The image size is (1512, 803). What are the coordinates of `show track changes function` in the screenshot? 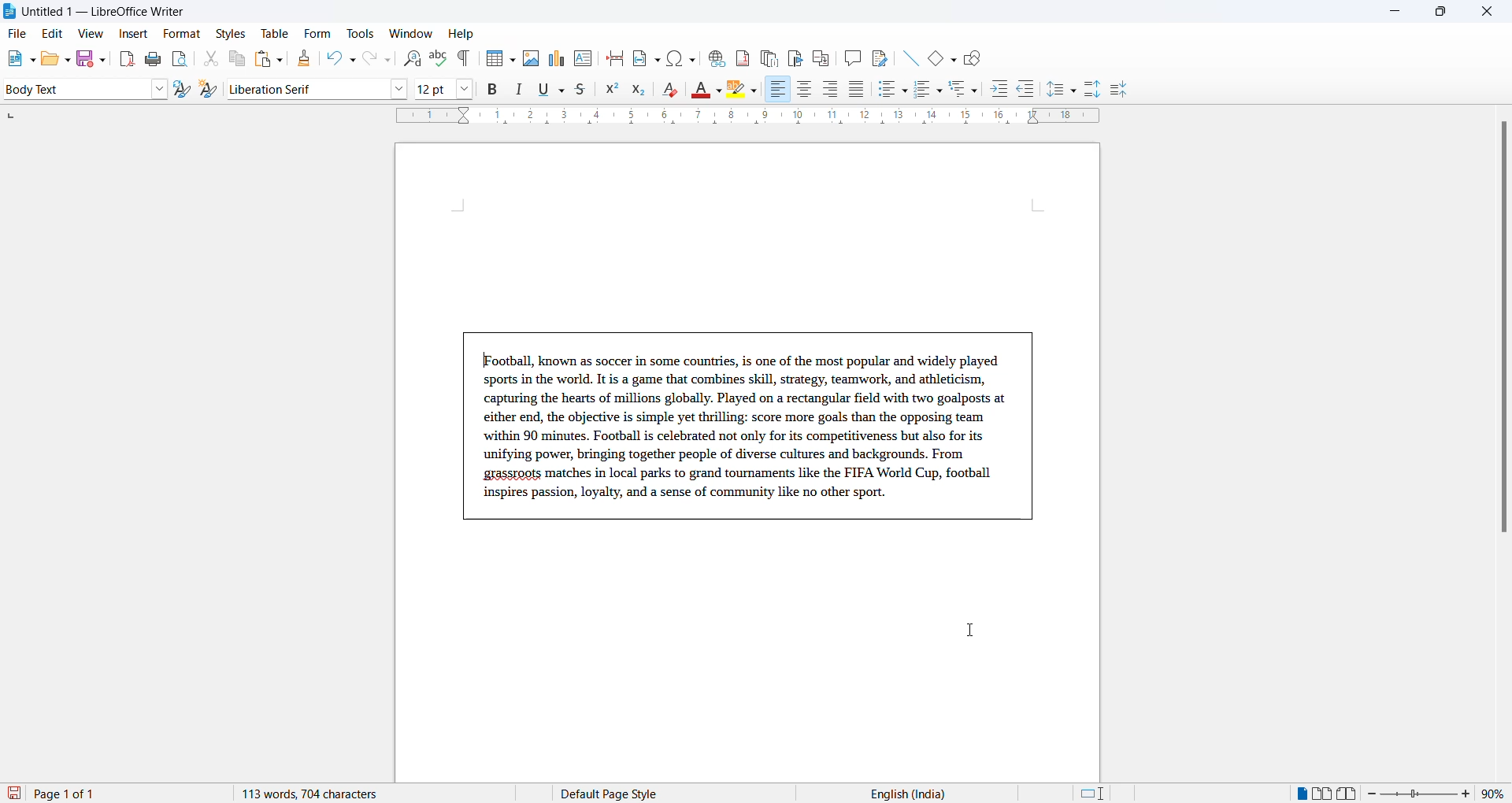 It's located at (821, 57).